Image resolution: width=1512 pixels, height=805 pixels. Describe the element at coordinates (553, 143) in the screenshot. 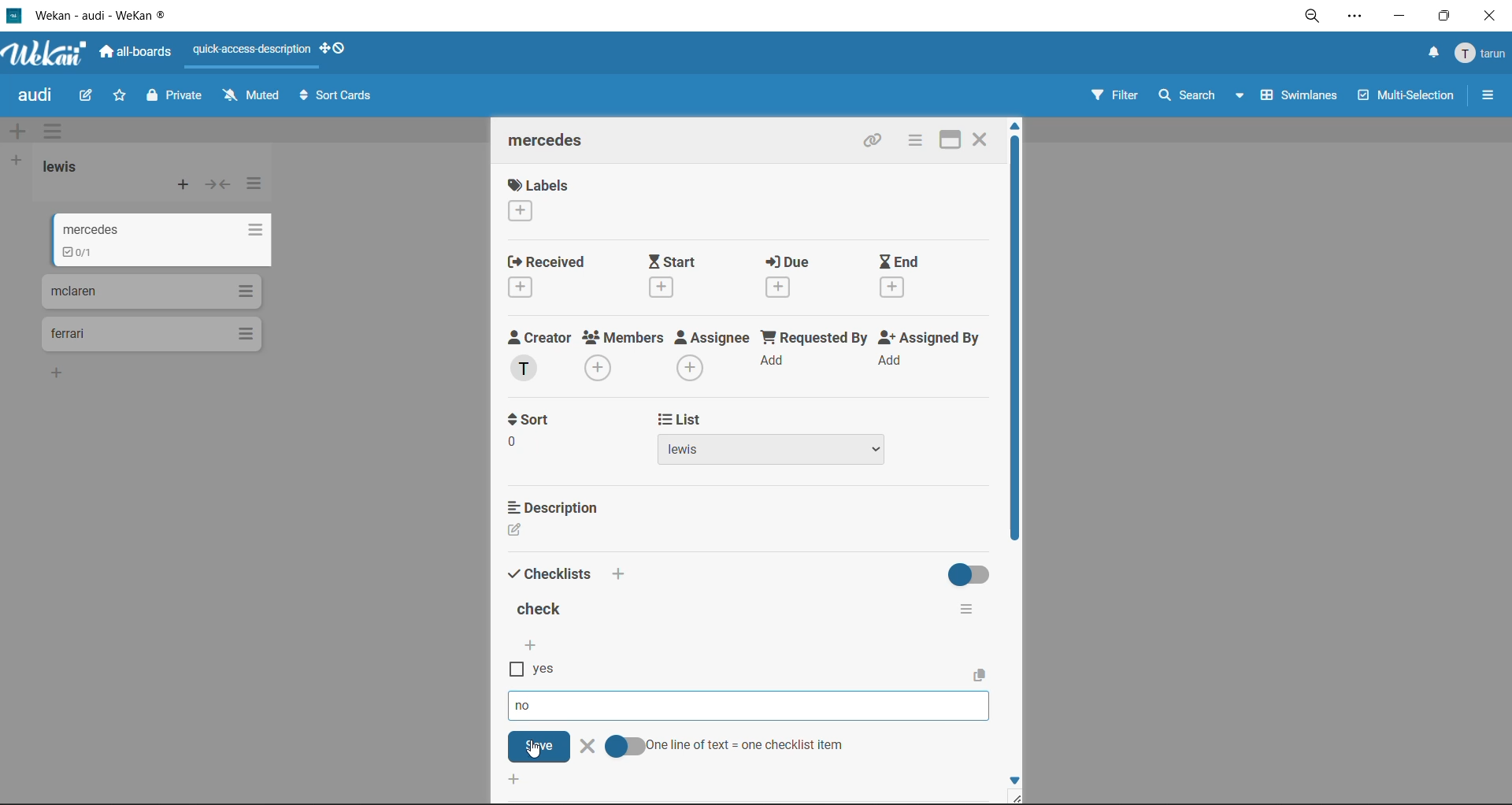

I see `card title` at that location.